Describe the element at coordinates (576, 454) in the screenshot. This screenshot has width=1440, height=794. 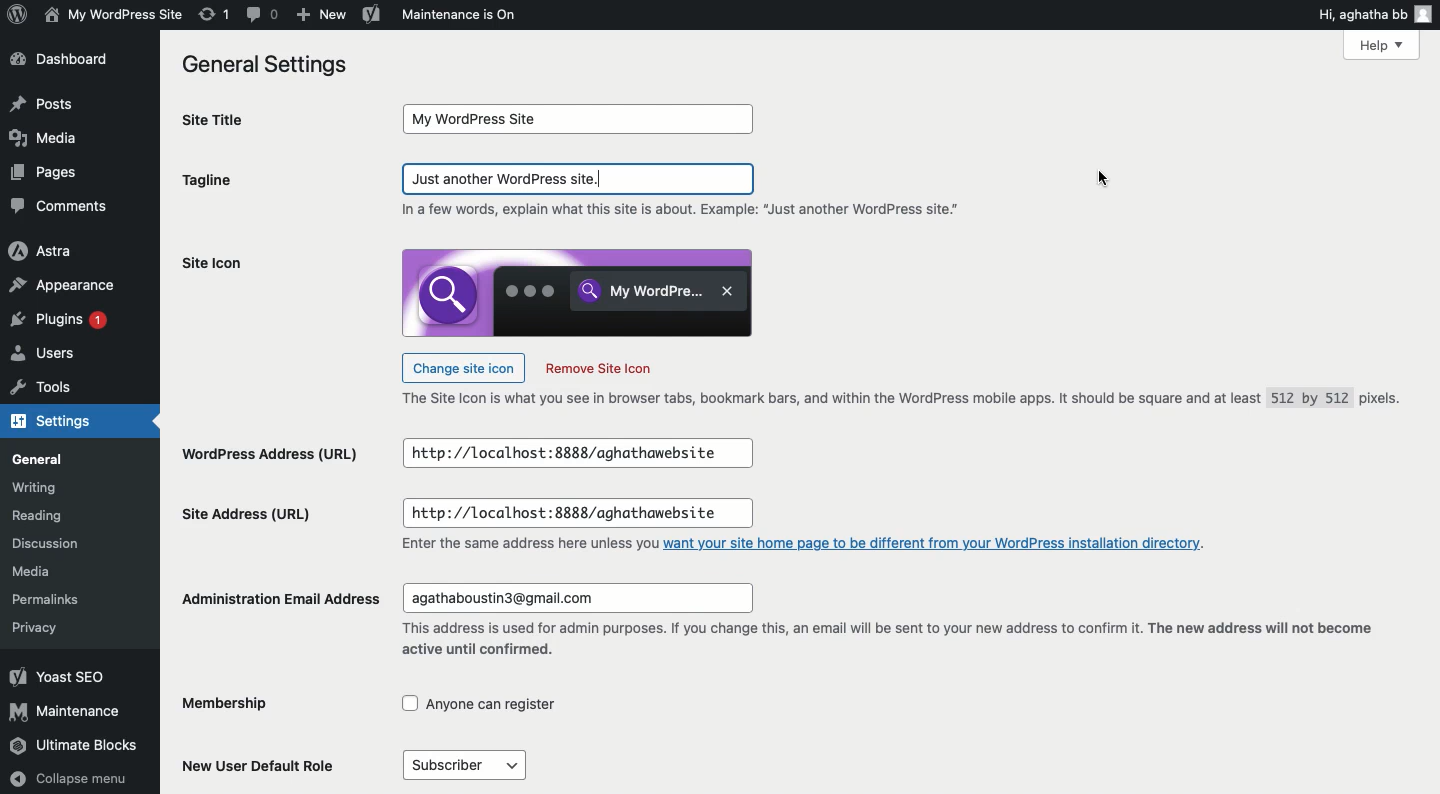
I see `input box` at that location.